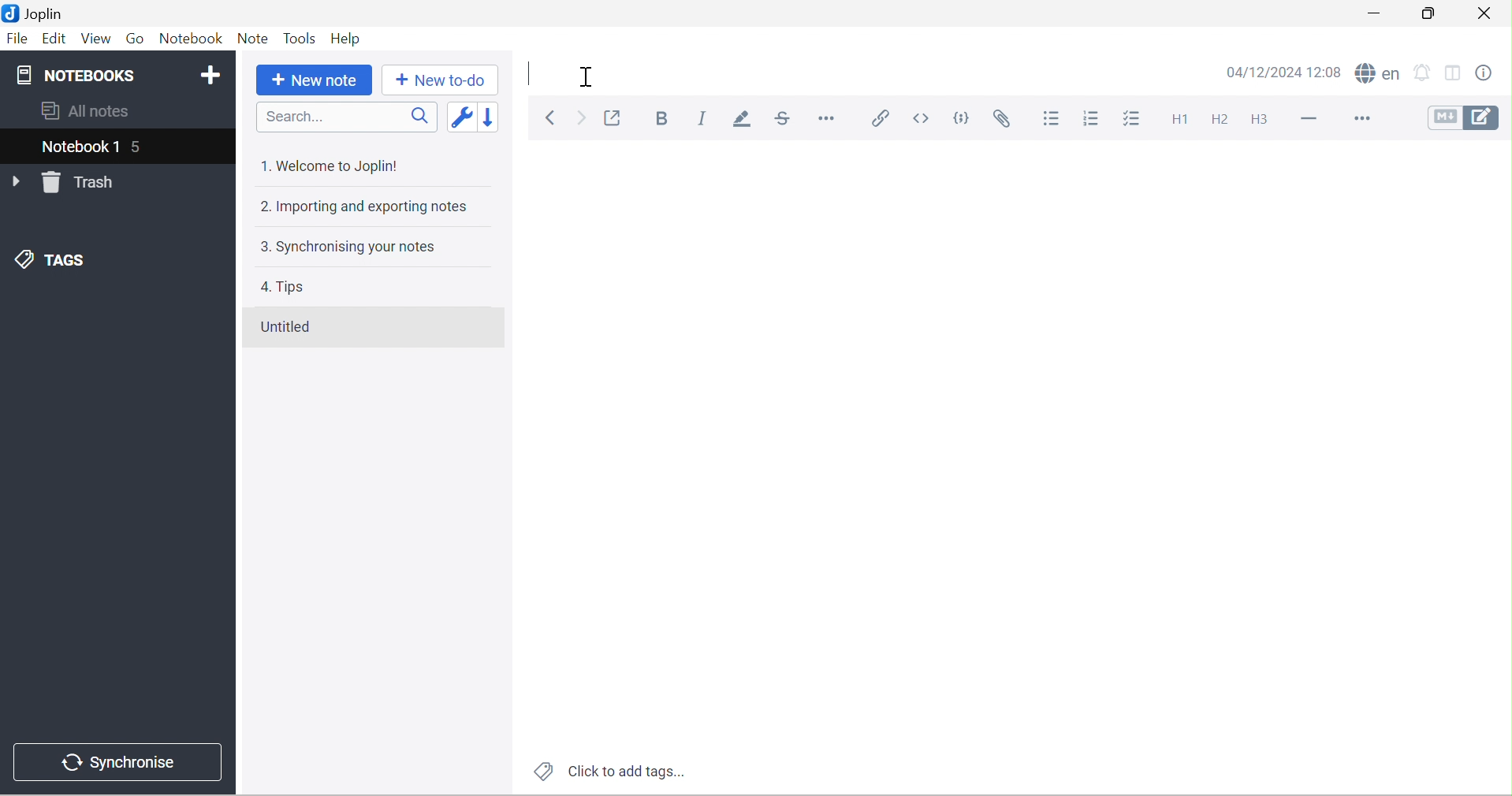 This screenshot has height=796, width=1512. I want to click on Help, so click(349, 38).